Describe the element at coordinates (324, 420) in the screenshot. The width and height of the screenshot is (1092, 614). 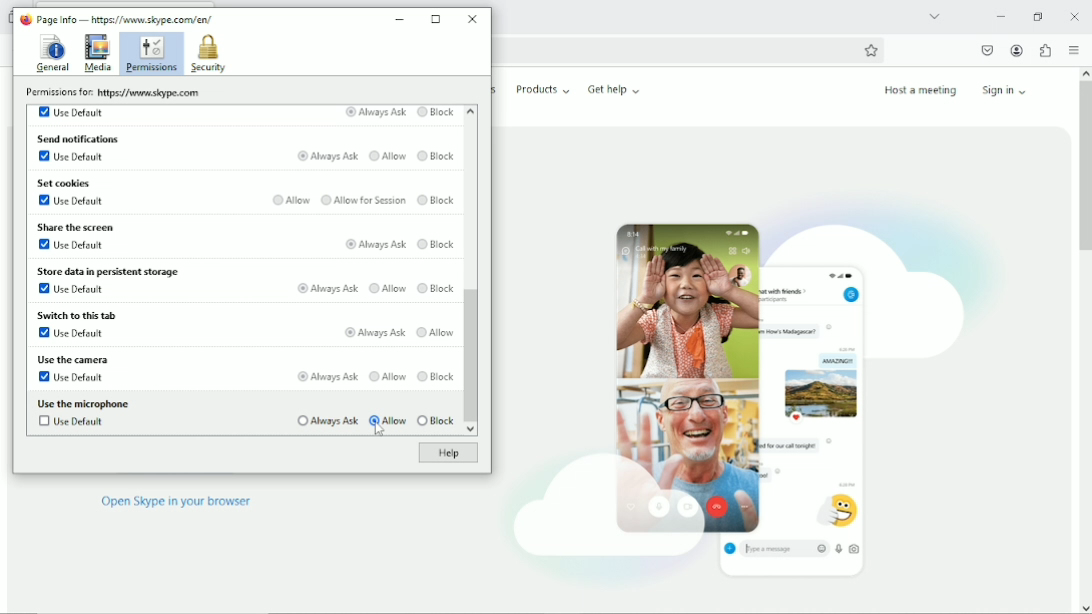
I see `Always ask` at that location.